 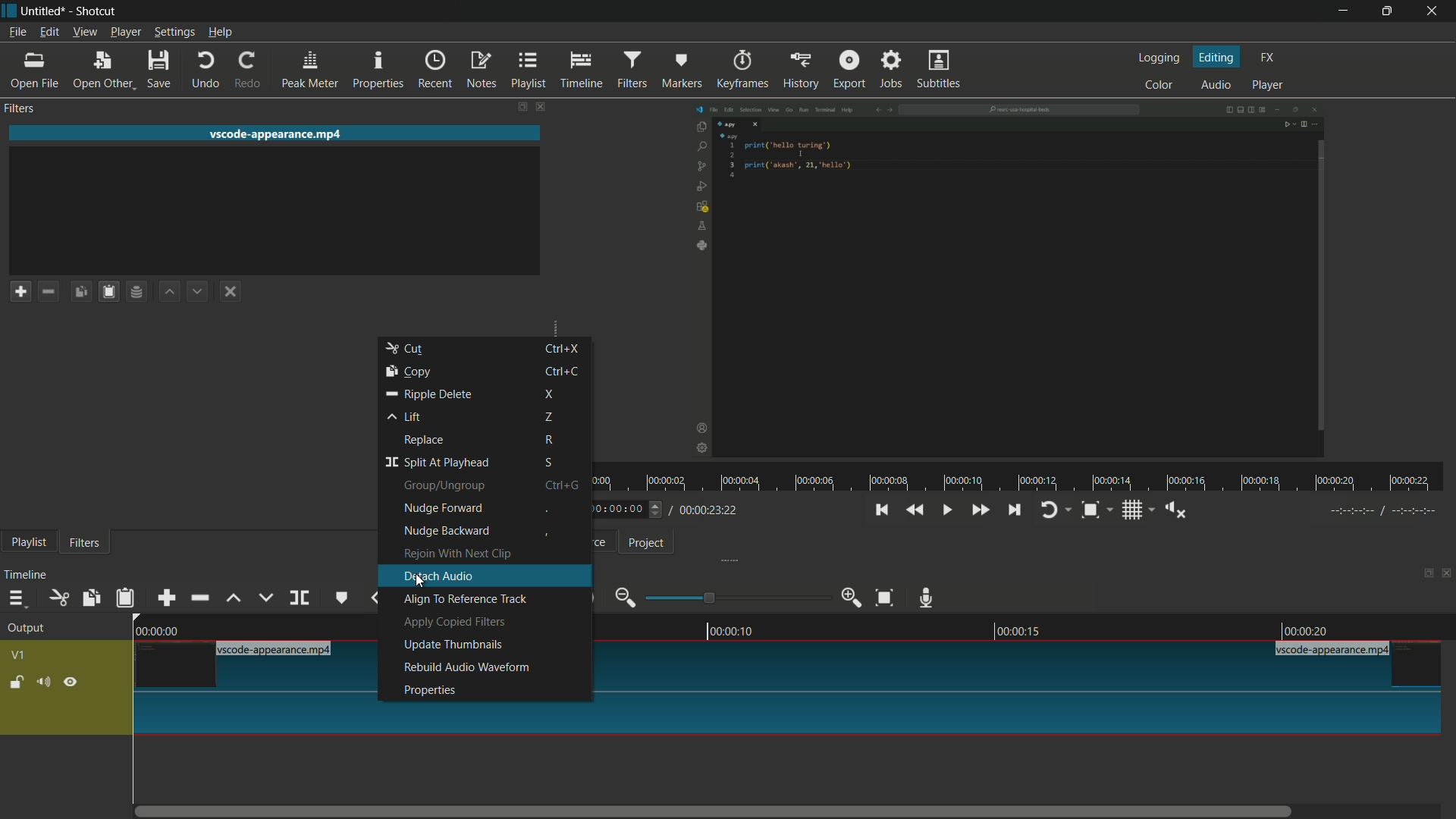 I want to click on Bll scode-appearance. mp4, so click(x=1335, y=651).